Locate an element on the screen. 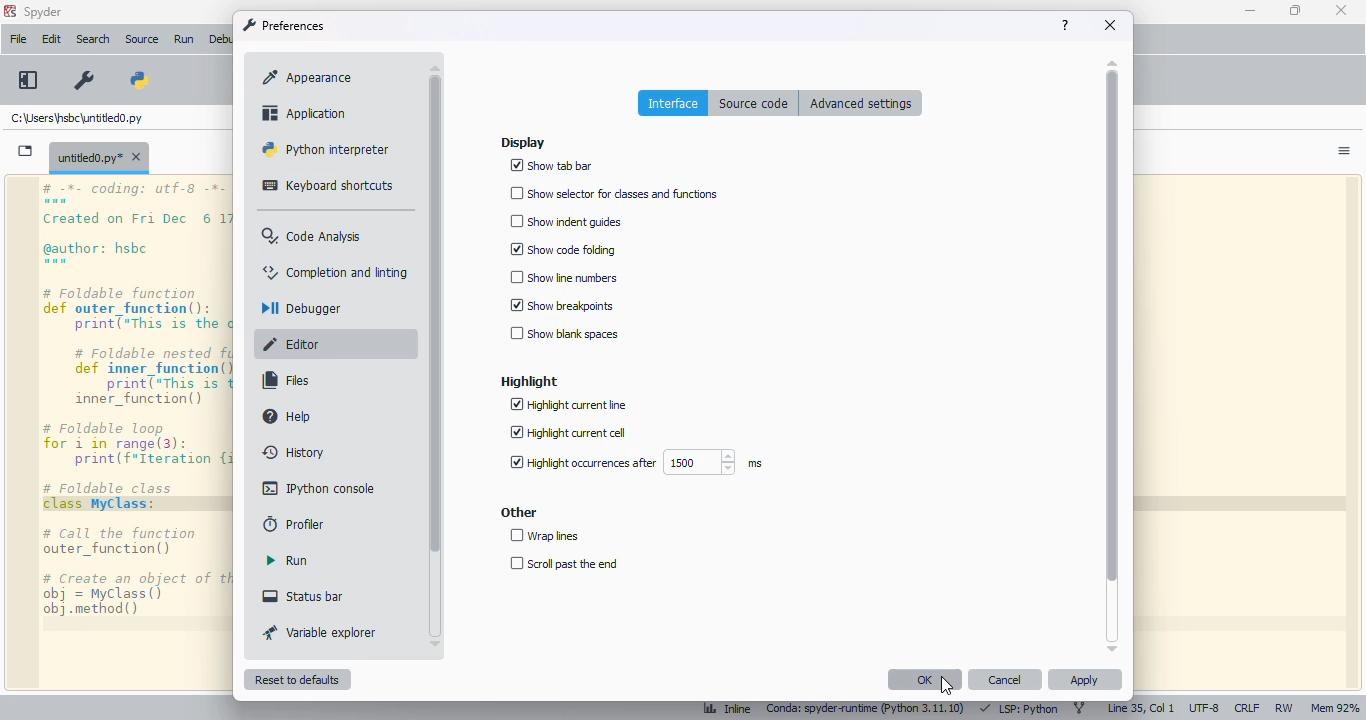 The height and width of the screenshot is (720, 1366). spyder is located at coordinates (44, 12).